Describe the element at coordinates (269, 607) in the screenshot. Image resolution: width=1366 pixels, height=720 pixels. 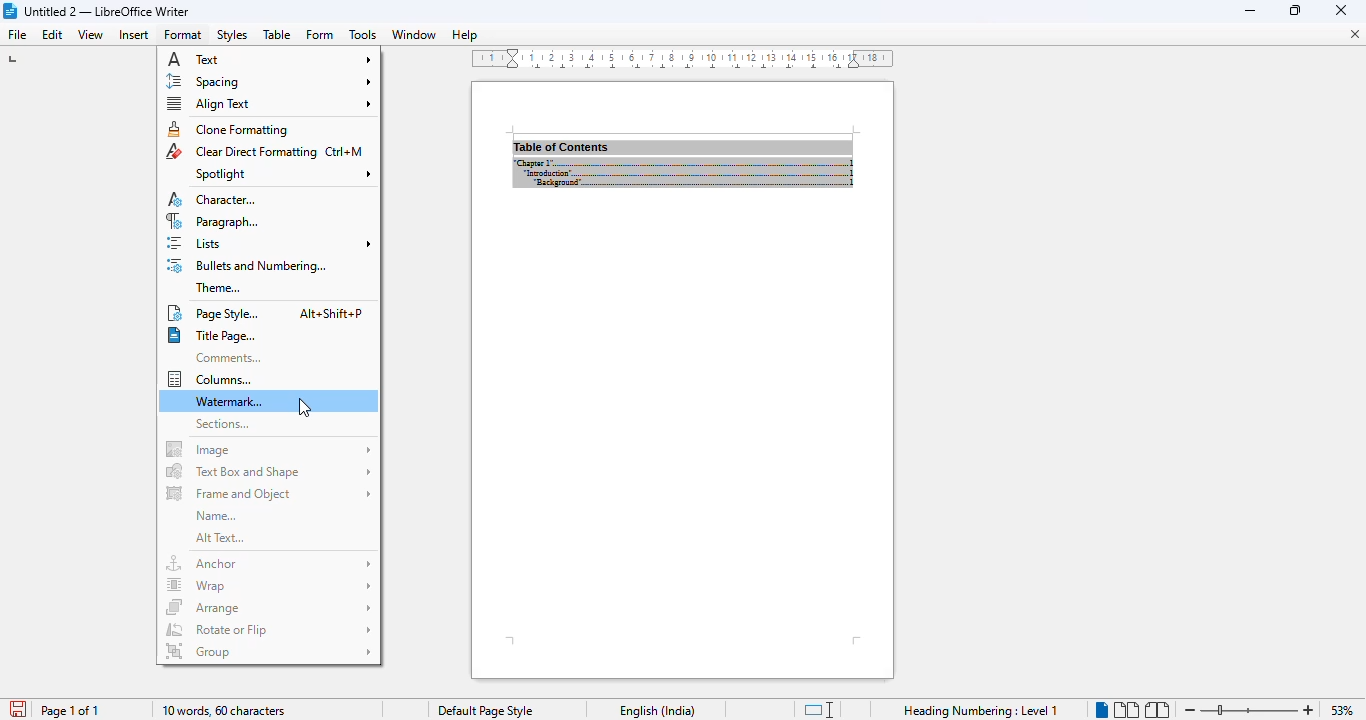
I see `arrange` at that location.